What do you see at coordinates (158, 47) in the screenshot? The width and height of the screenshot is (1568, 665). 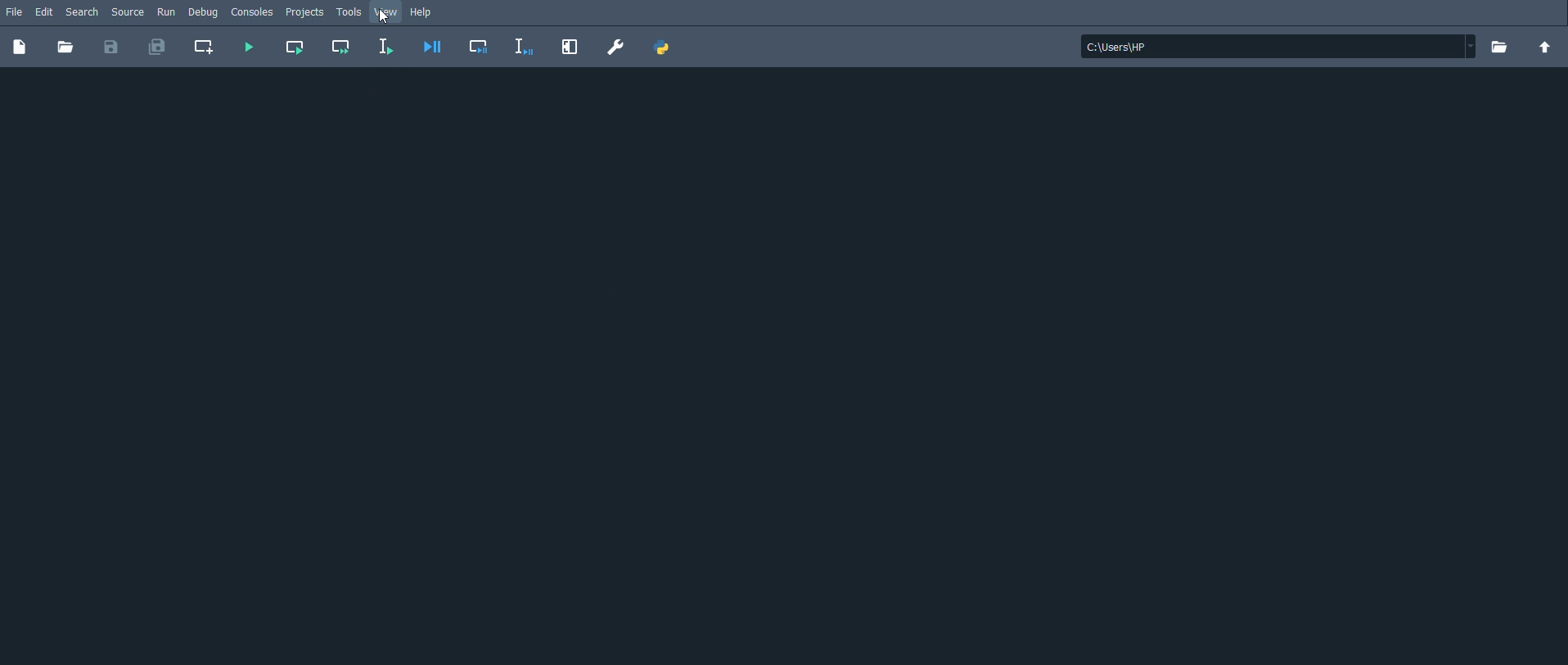 I see `Save all files` at bounding box center [158, 47].